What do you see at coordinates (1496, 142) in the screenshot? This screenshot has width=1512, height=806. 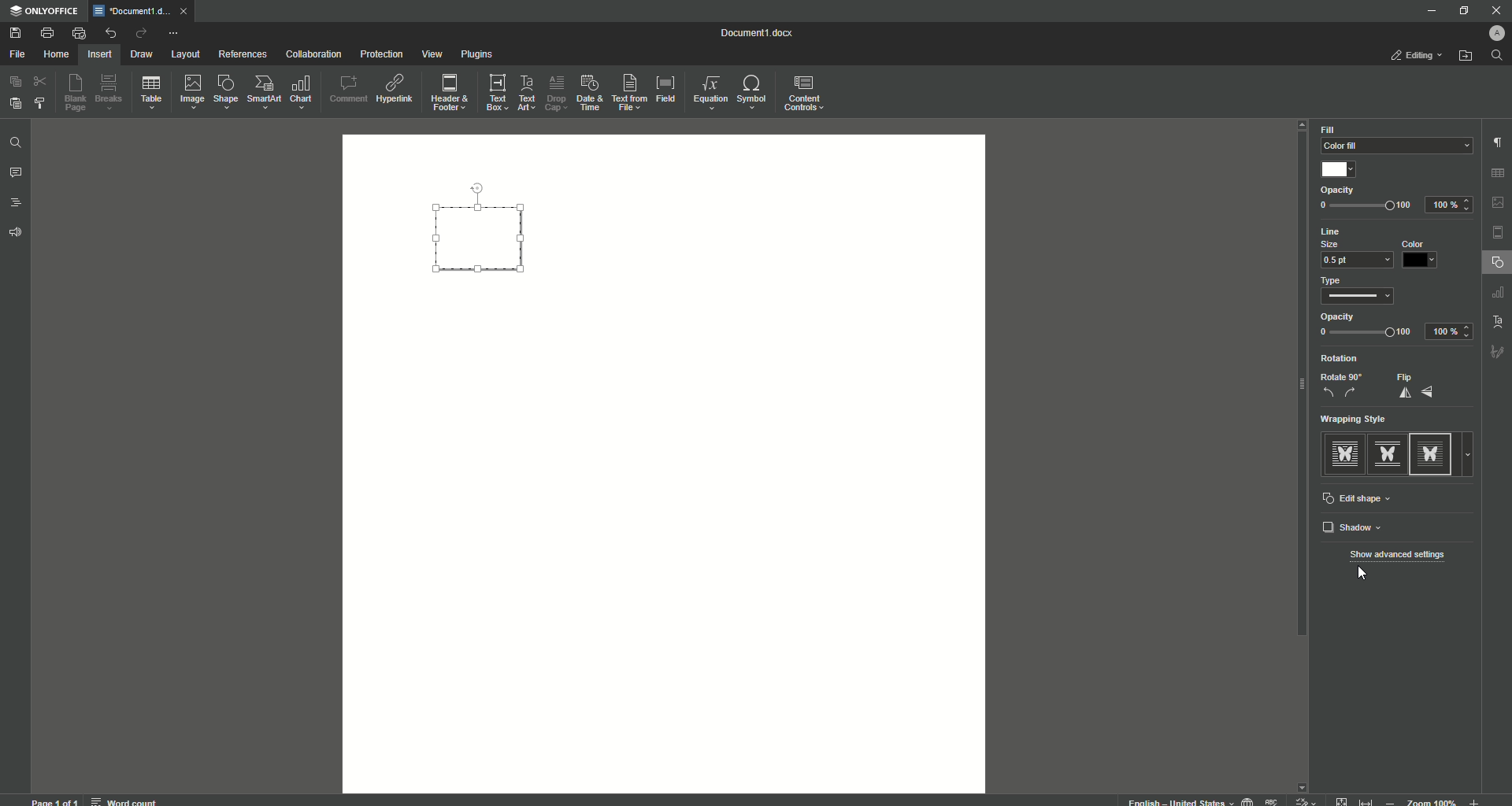 I see ` Paragraph Settings` at bounding box center [1496, 142].